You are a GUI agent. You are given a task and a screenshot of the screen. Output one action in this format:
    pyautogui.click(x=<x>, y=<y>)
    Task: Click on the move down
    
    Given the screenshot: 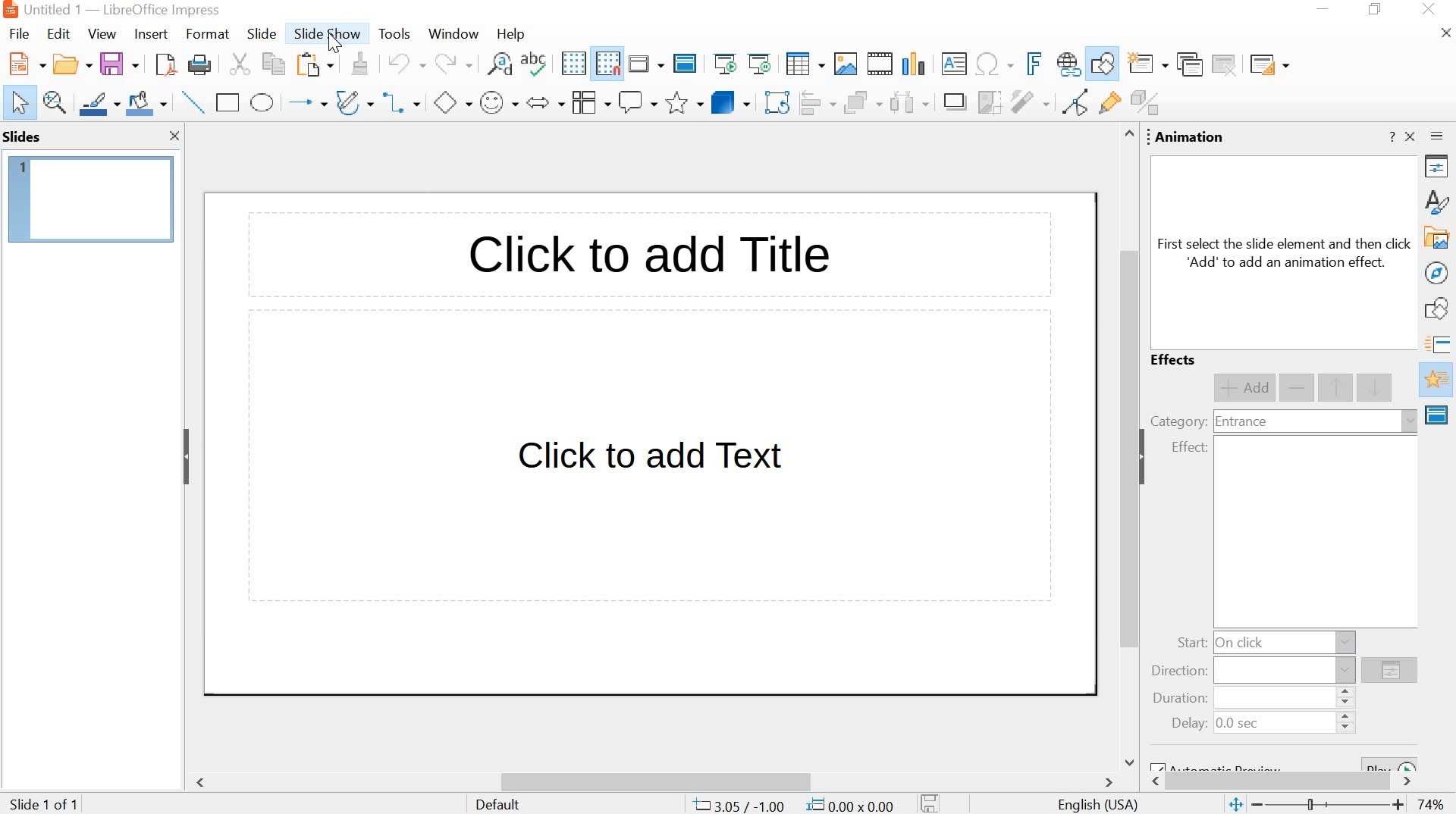 What is the action you would take?
    pyautogui.click(x=1376, y=387)
    